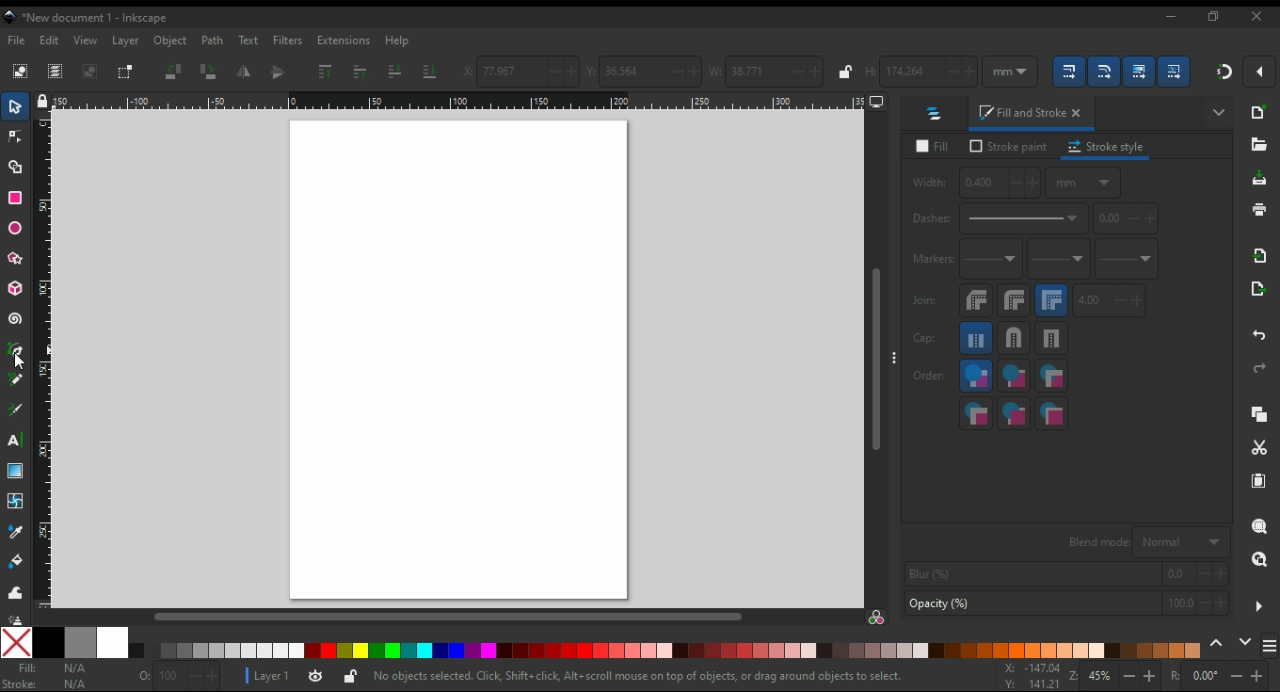  What do you see at coordinates (214, 41) in the screenshot?
I see `path` at bounding box center [214, 41].